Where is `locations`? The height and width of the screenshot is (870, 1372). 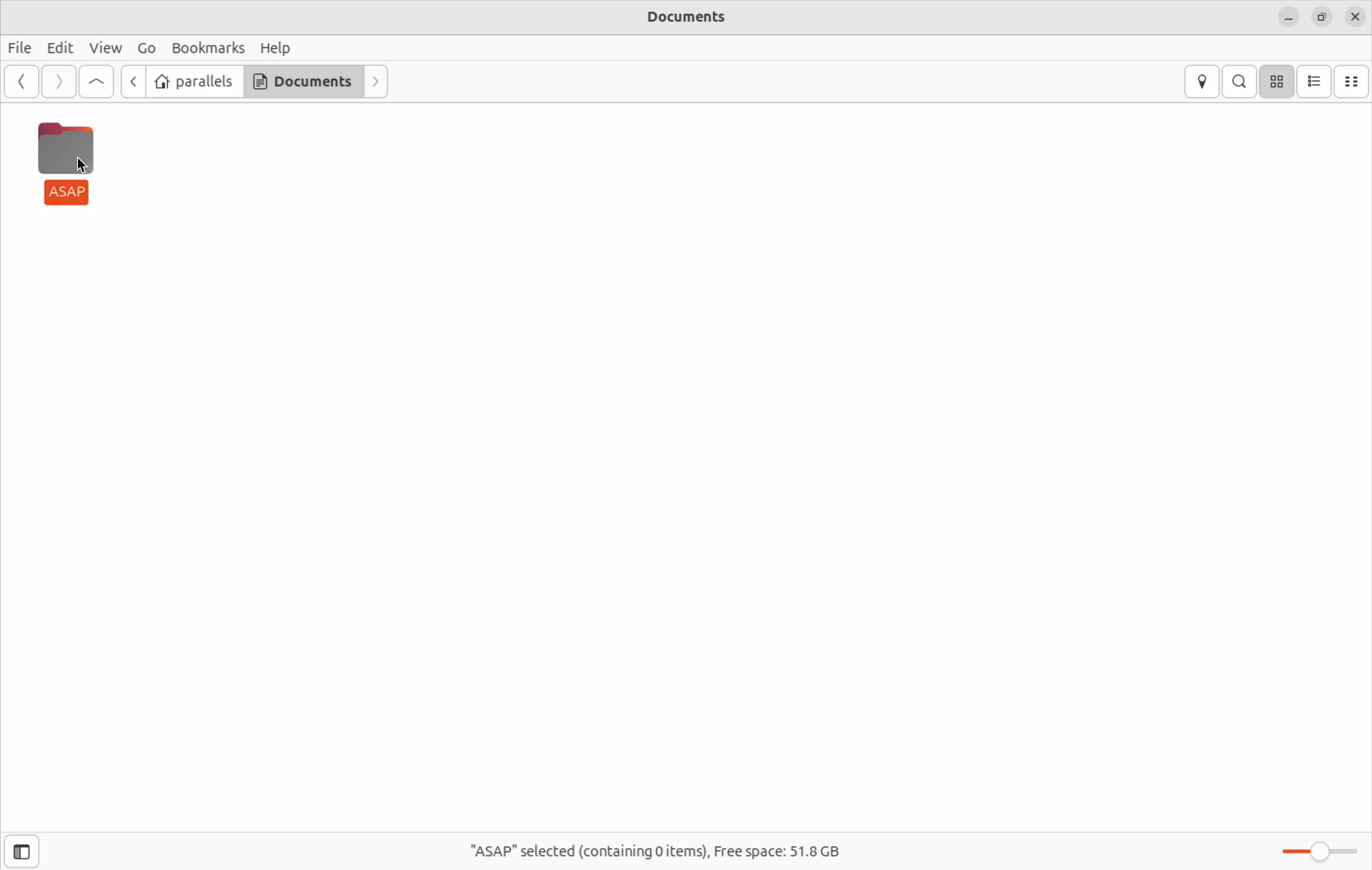 locations is located at coordinates (1201, 81).